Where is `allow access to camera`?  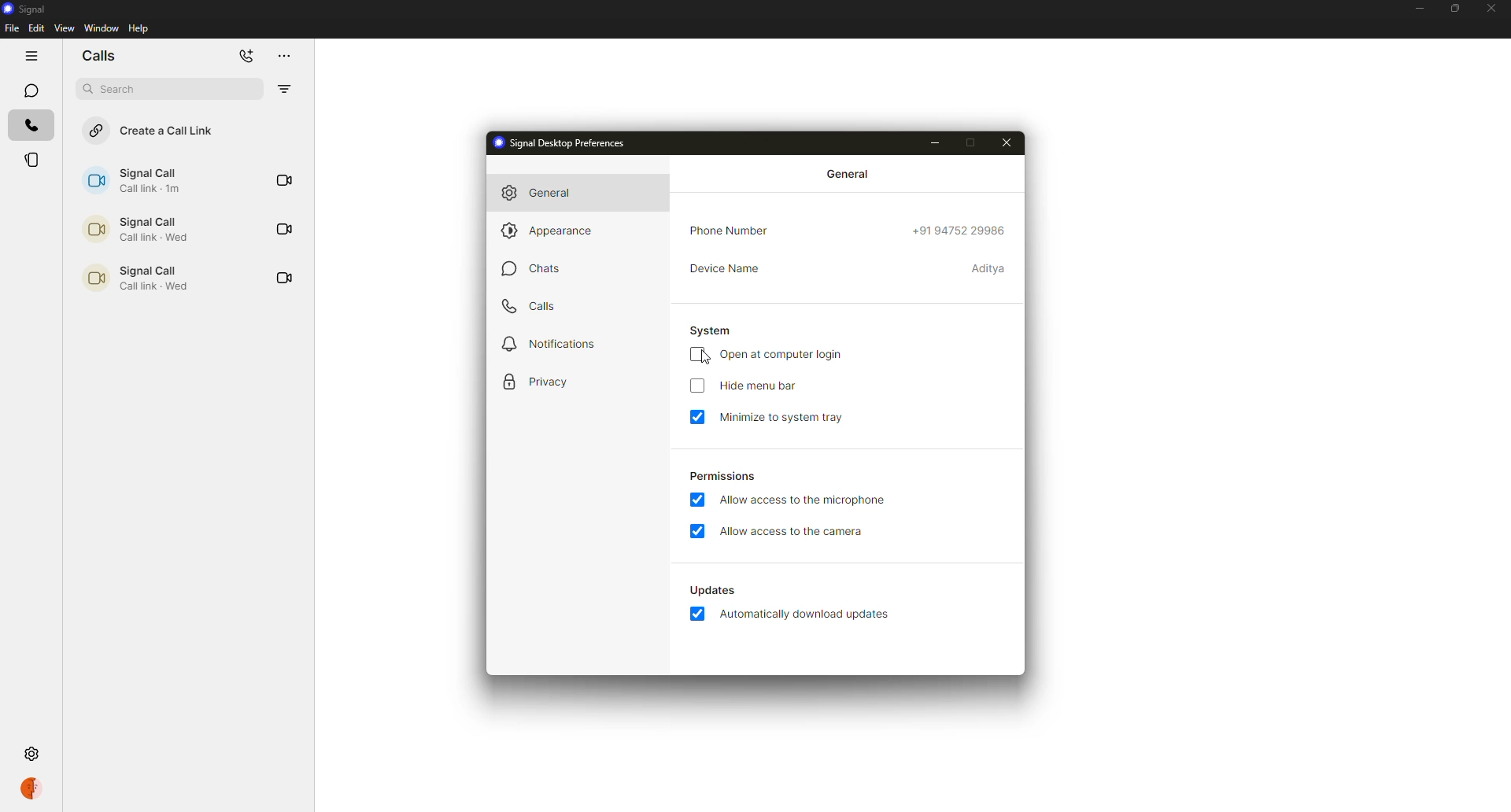
allow access to camera is located at coordinates (792, 532).